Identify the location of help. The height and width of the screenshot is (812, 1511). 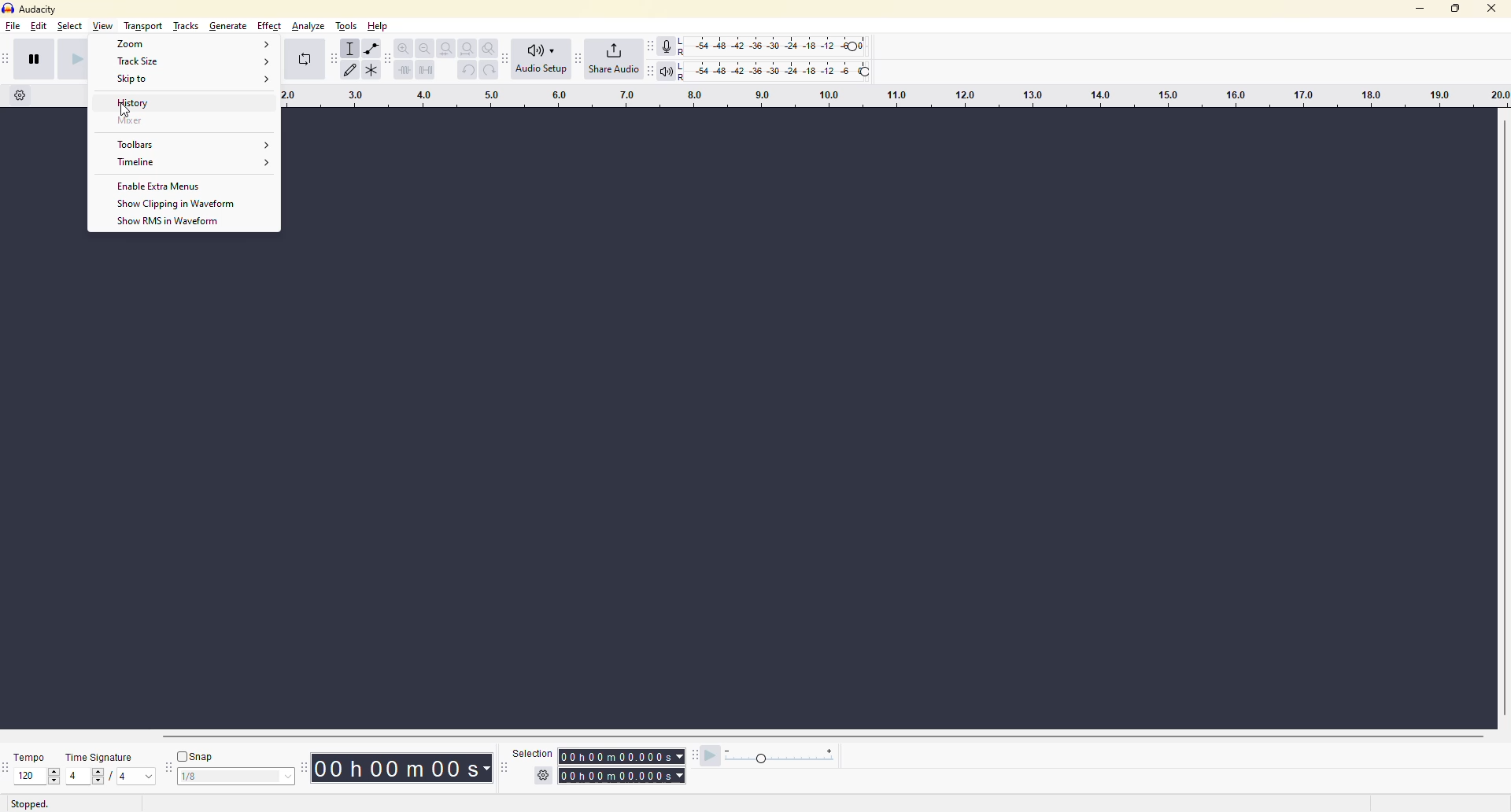
(379, 24).